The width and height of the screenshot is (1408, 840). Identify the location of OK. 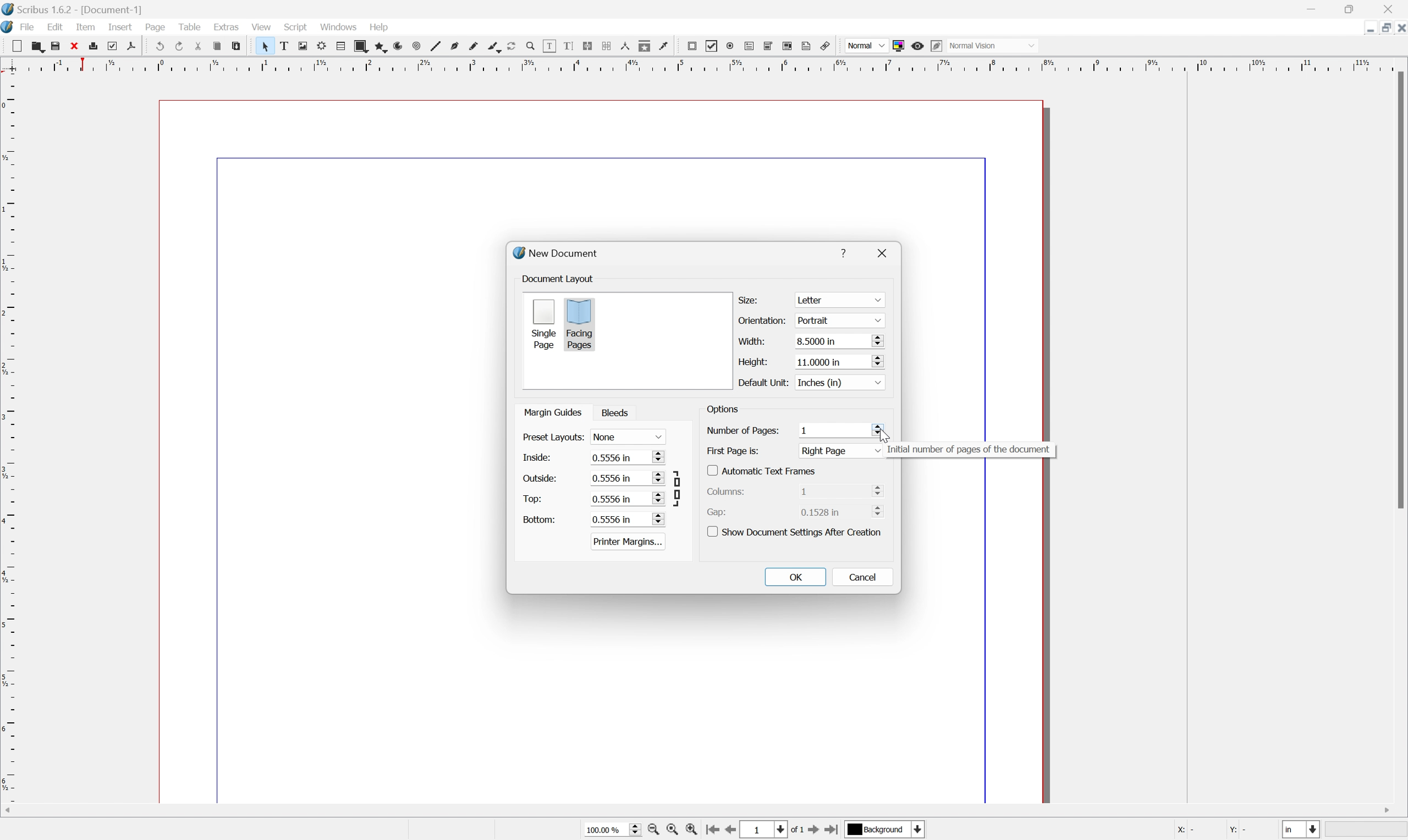
(796, 577).